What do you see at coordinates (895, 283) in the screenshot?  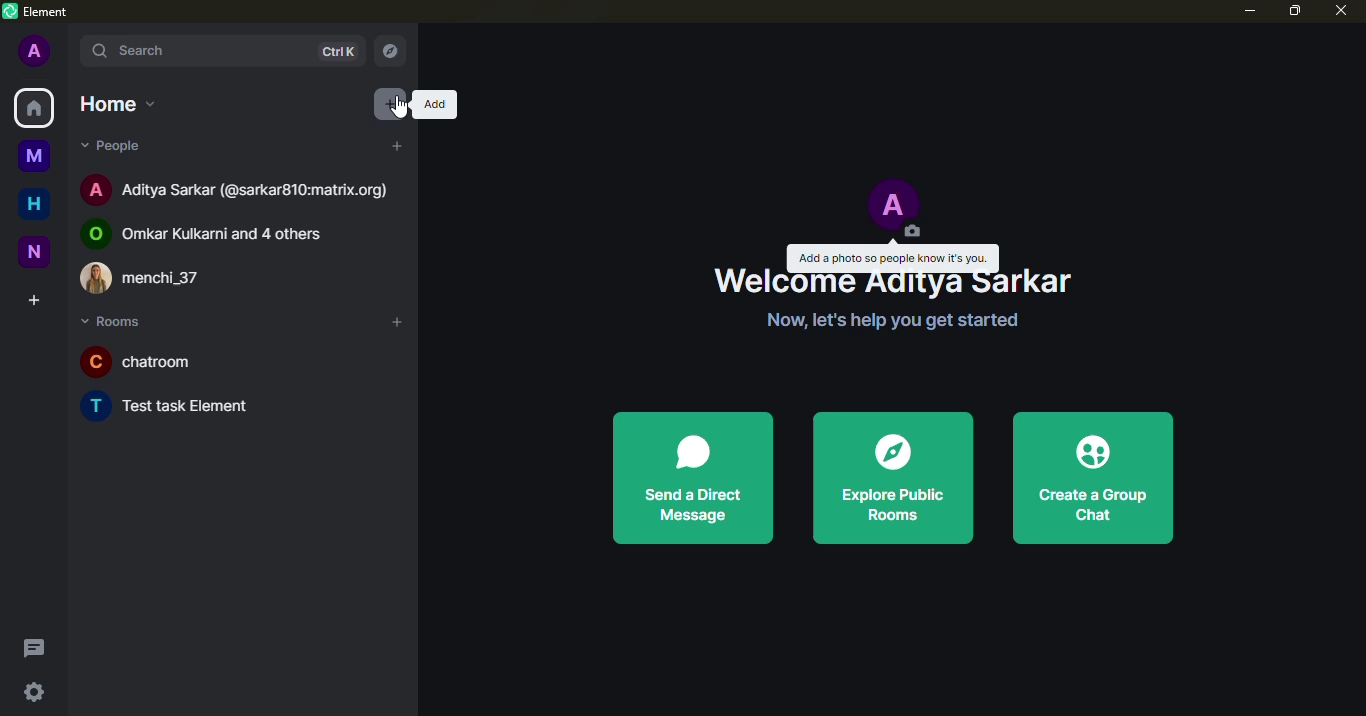 I see `Welcome Aditya Sarkar` at bounding box center [895, 283].